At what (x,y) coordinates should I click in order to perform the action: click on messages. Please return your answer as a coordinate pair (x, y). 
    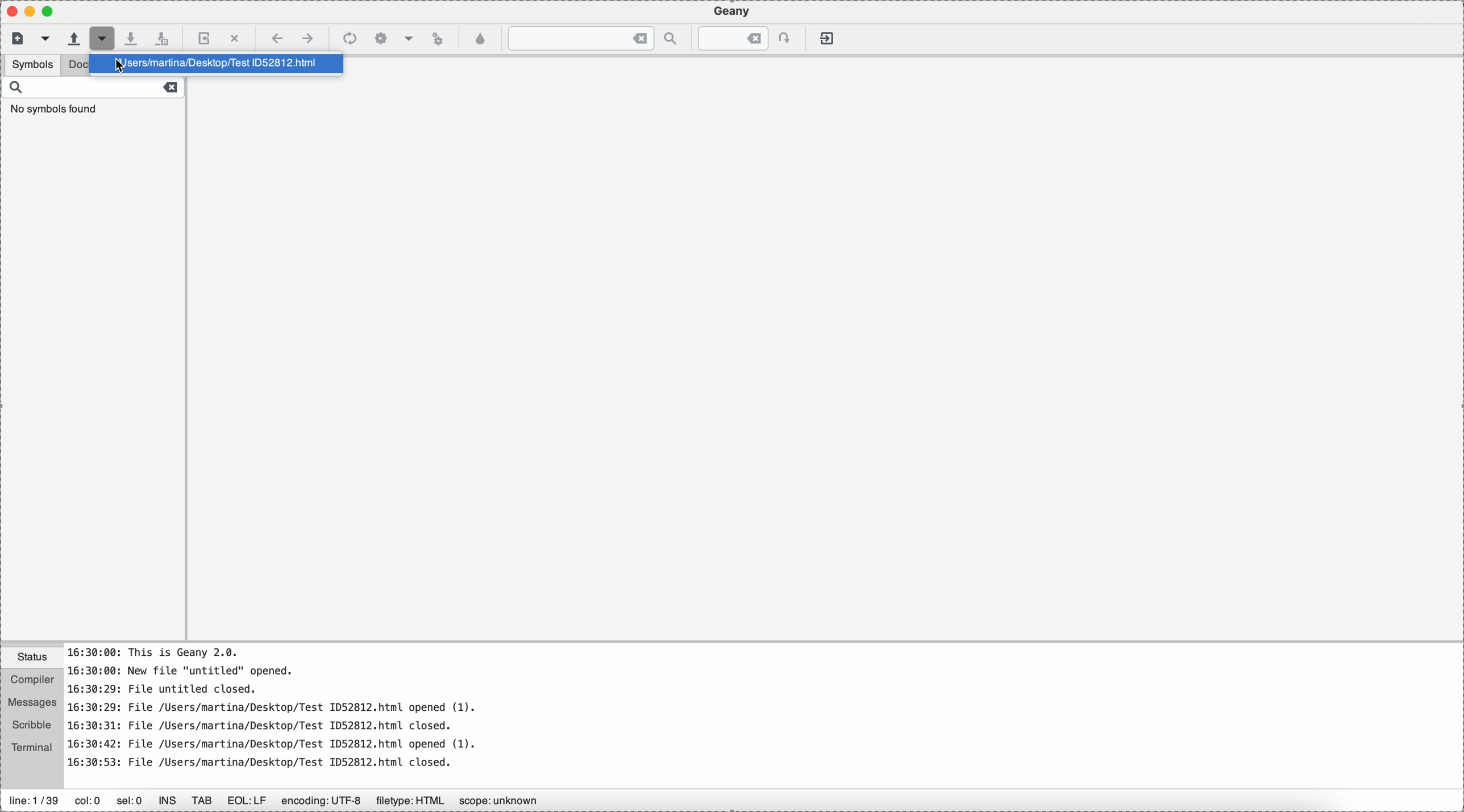
    Looking at the image, I should click on (33, 703).